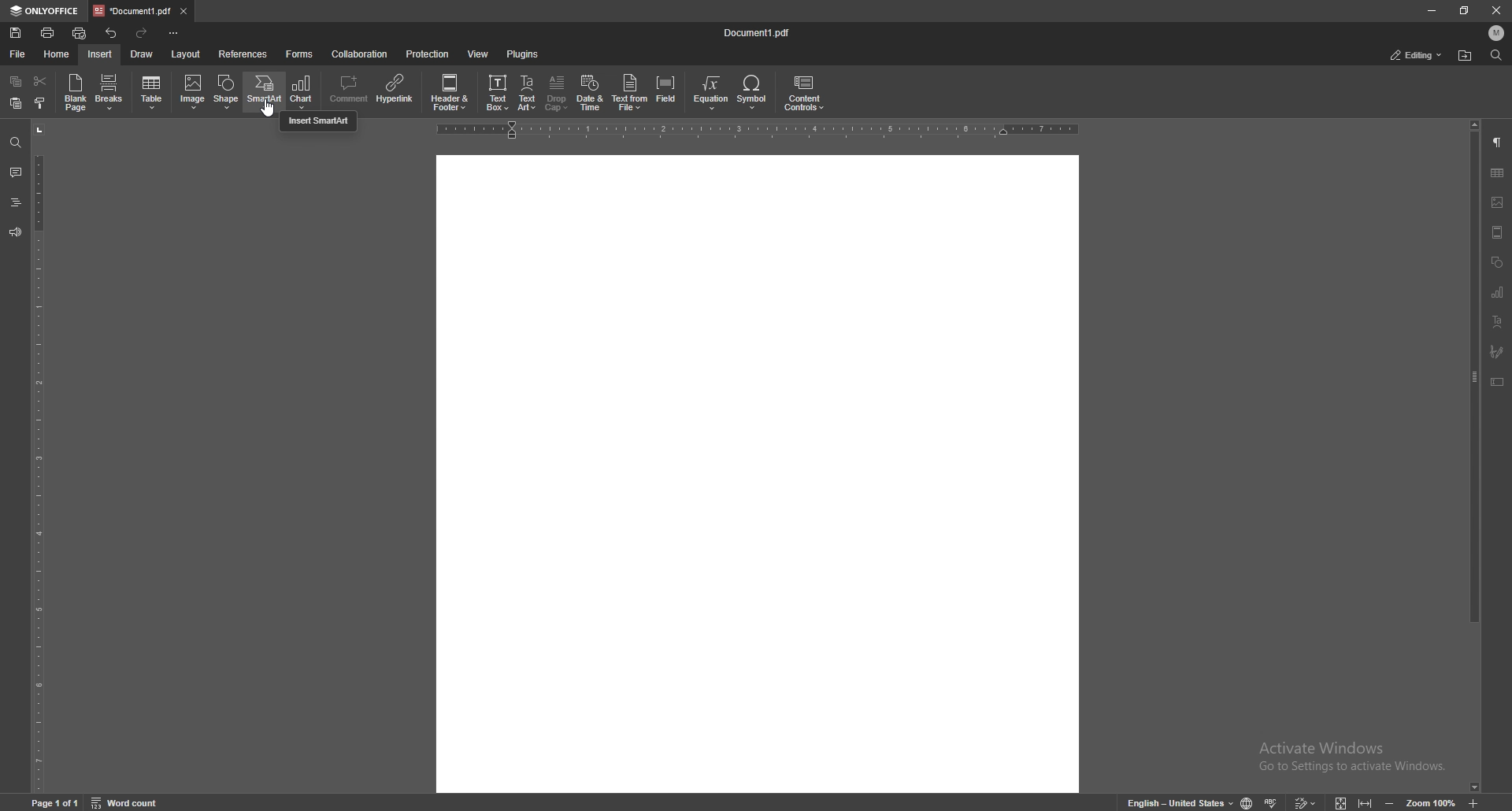 This screenshot has width=1512, height=811. What do you see at coordinates (318, 122) in the screenshot?
I see `tooltip` at bounding box center [318, 122].